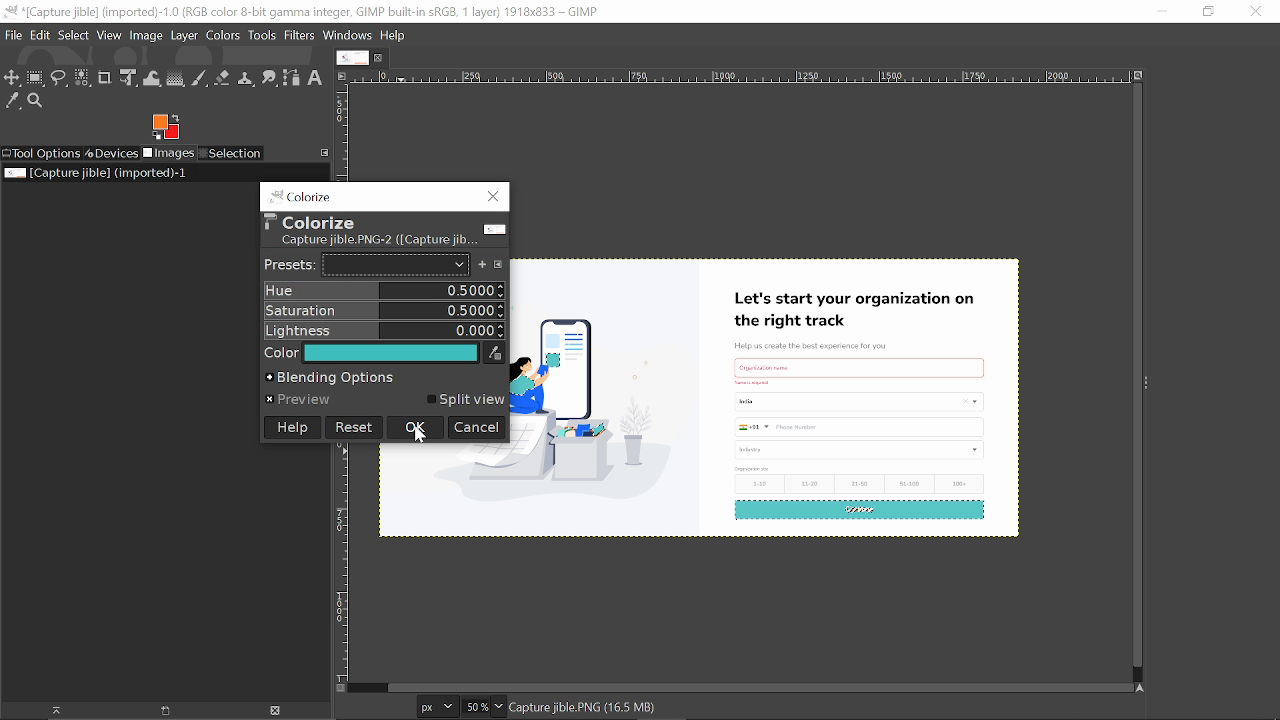  Describe the element at coordinates (296, 194) in the screenshot. I see `tool display` at that location.